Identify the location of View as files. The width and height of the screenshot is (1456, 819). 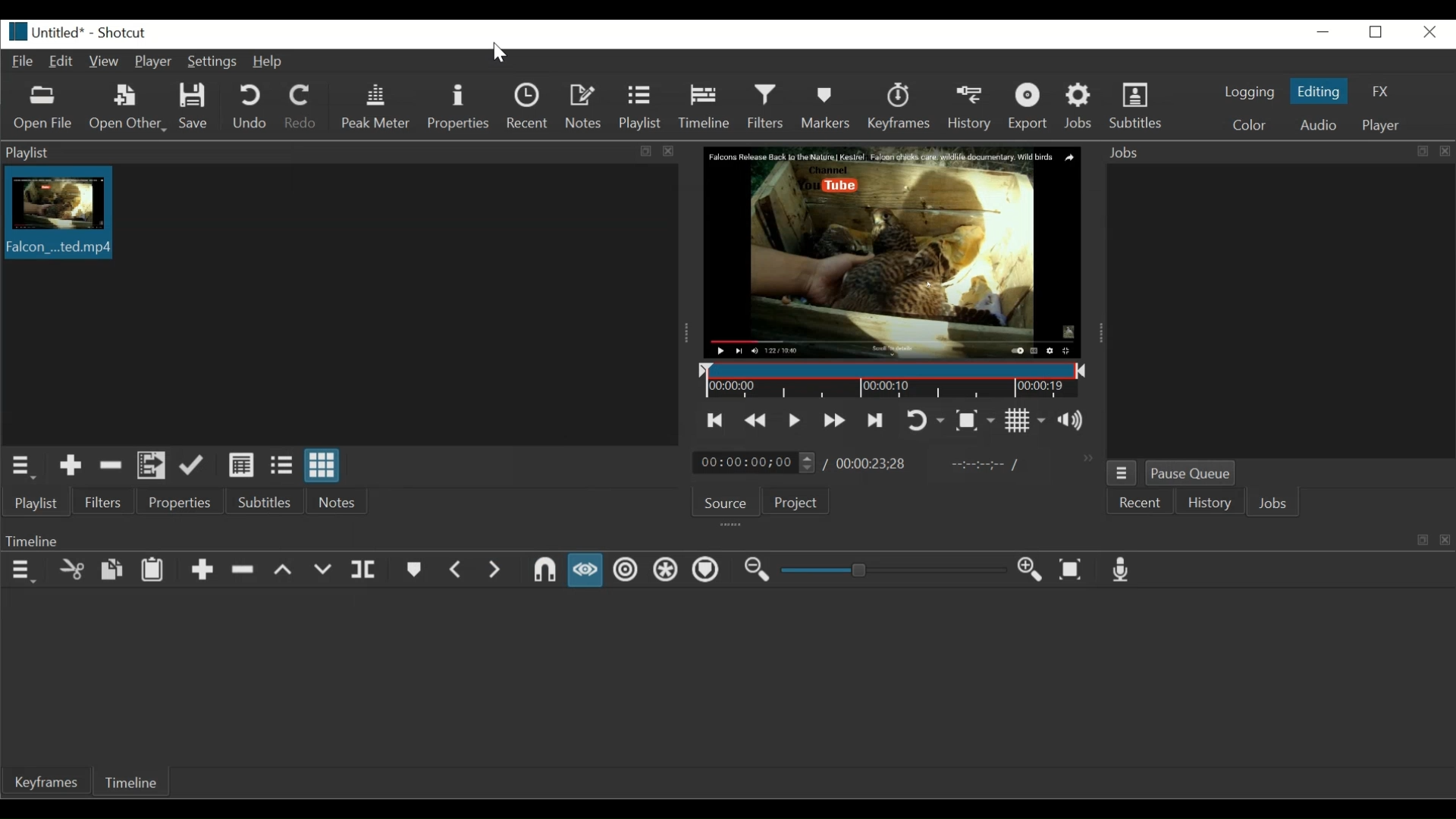
(279, 465).